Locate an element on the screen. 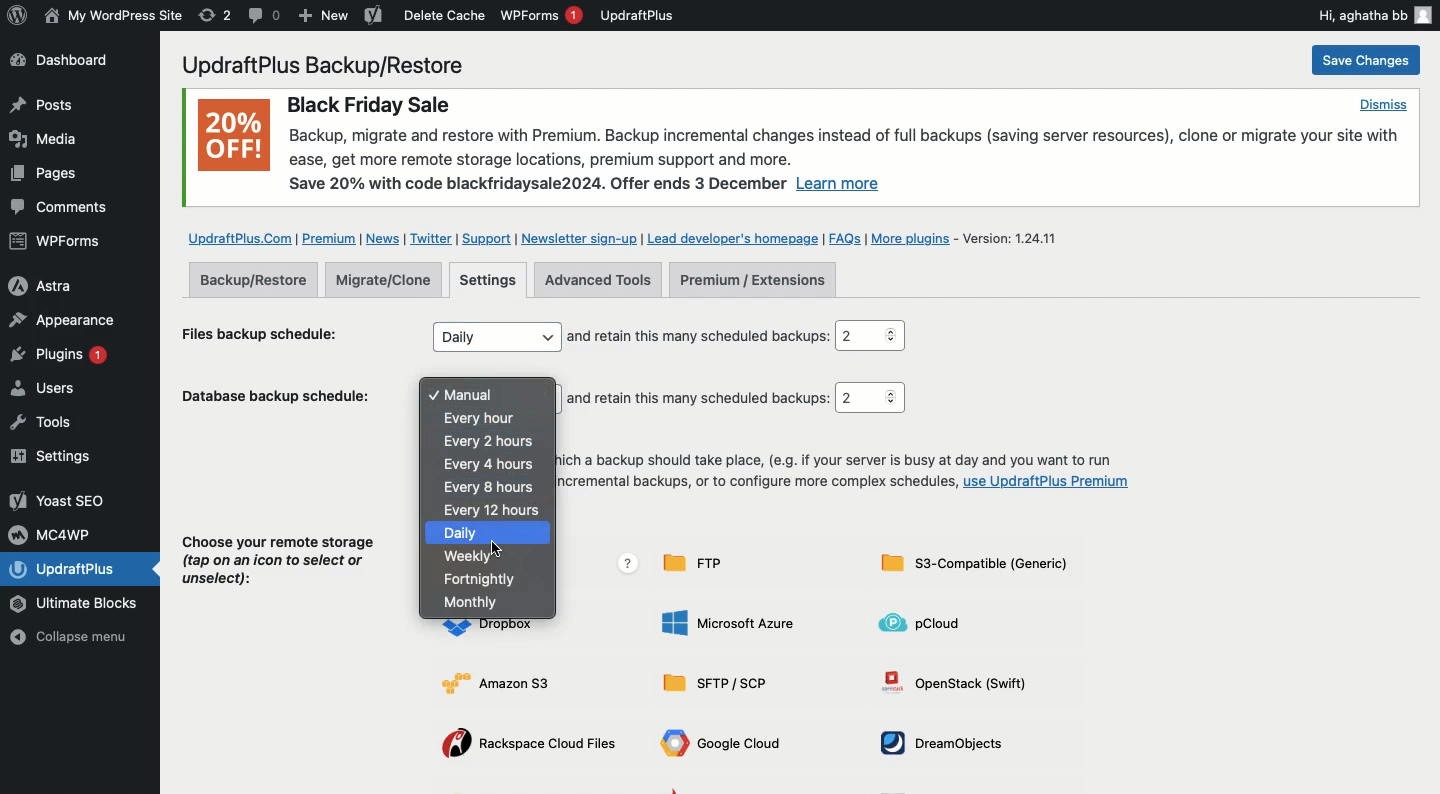 The image size is (1440, 794). Lead developer's homepage is located at coordinates (733, 237).